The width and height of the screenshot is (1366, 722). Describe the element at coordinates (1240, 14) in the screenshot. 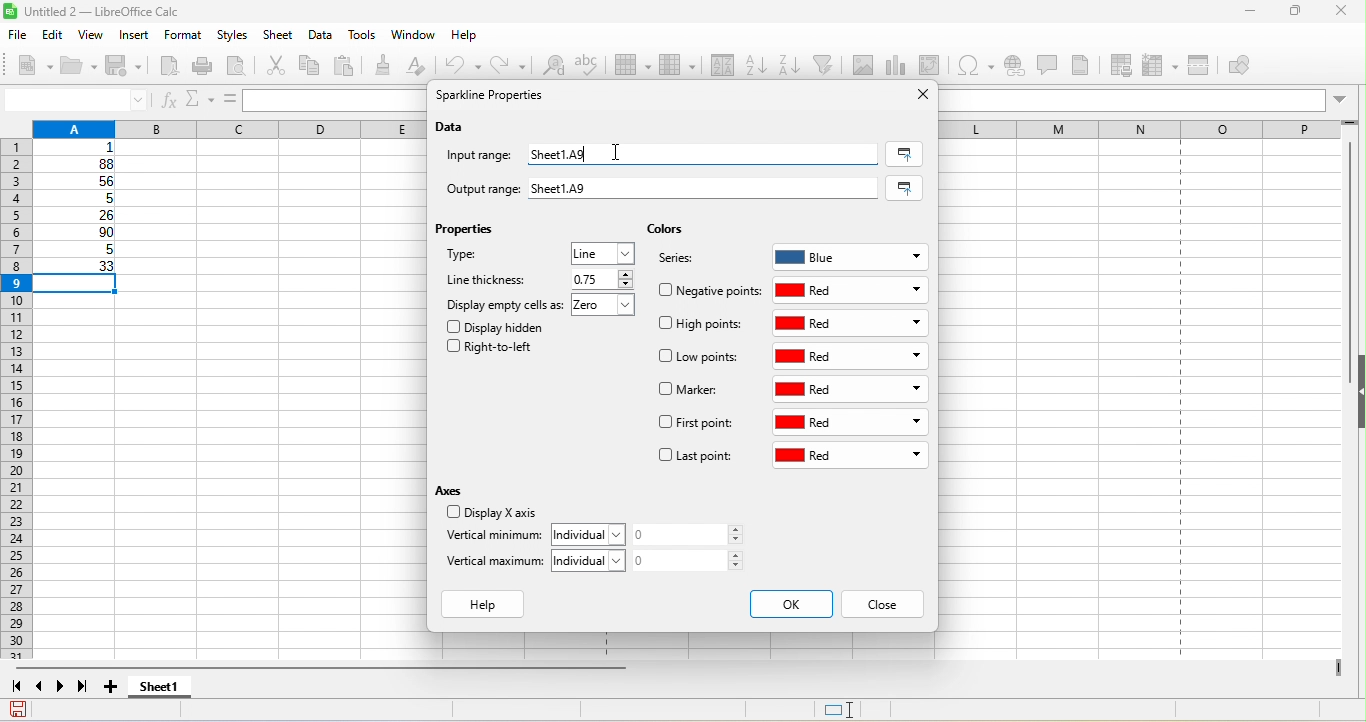

I see `minimize` at that location.